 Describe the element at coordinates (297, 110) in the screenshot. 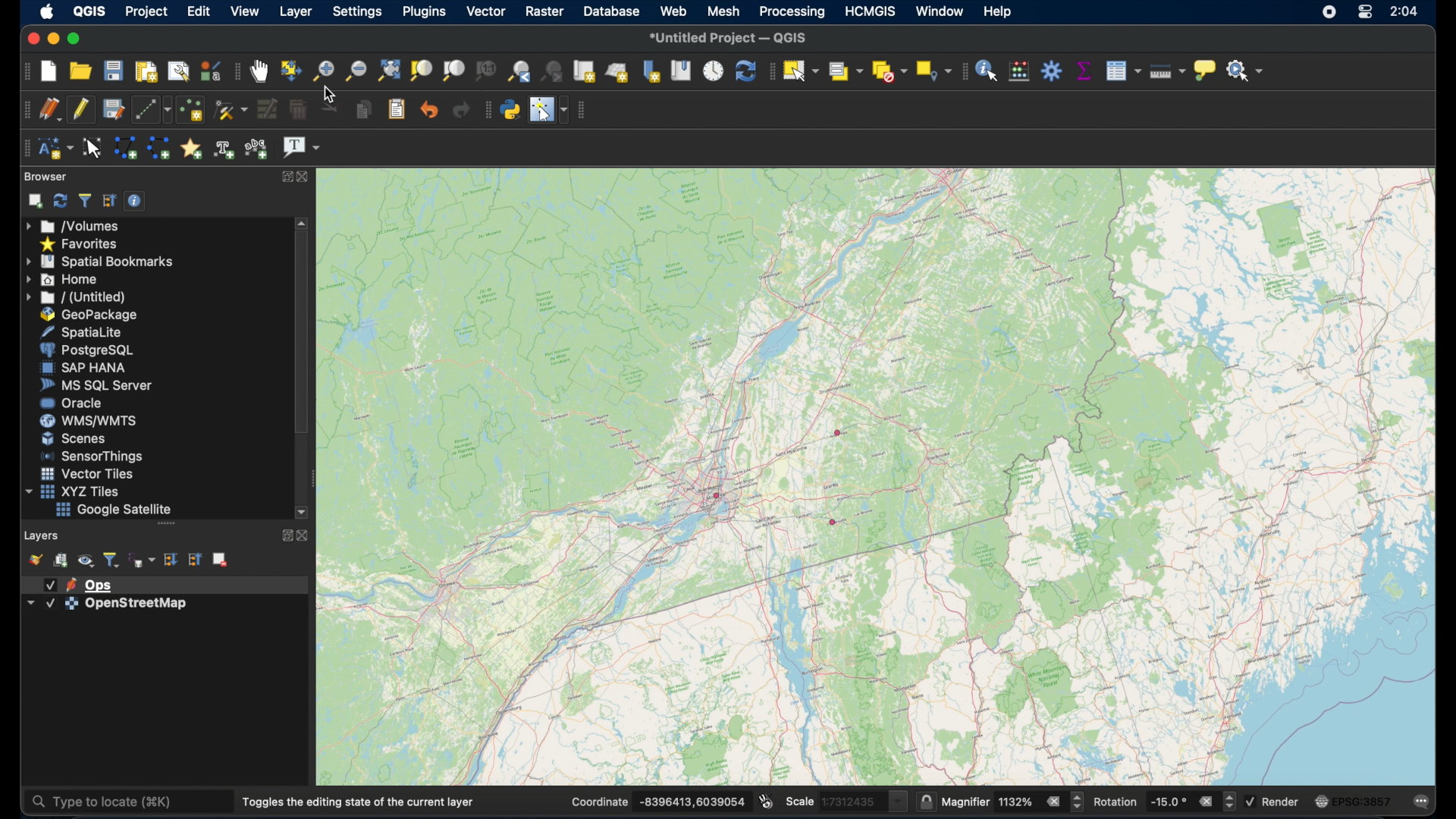

I see `delete selected` at that location.